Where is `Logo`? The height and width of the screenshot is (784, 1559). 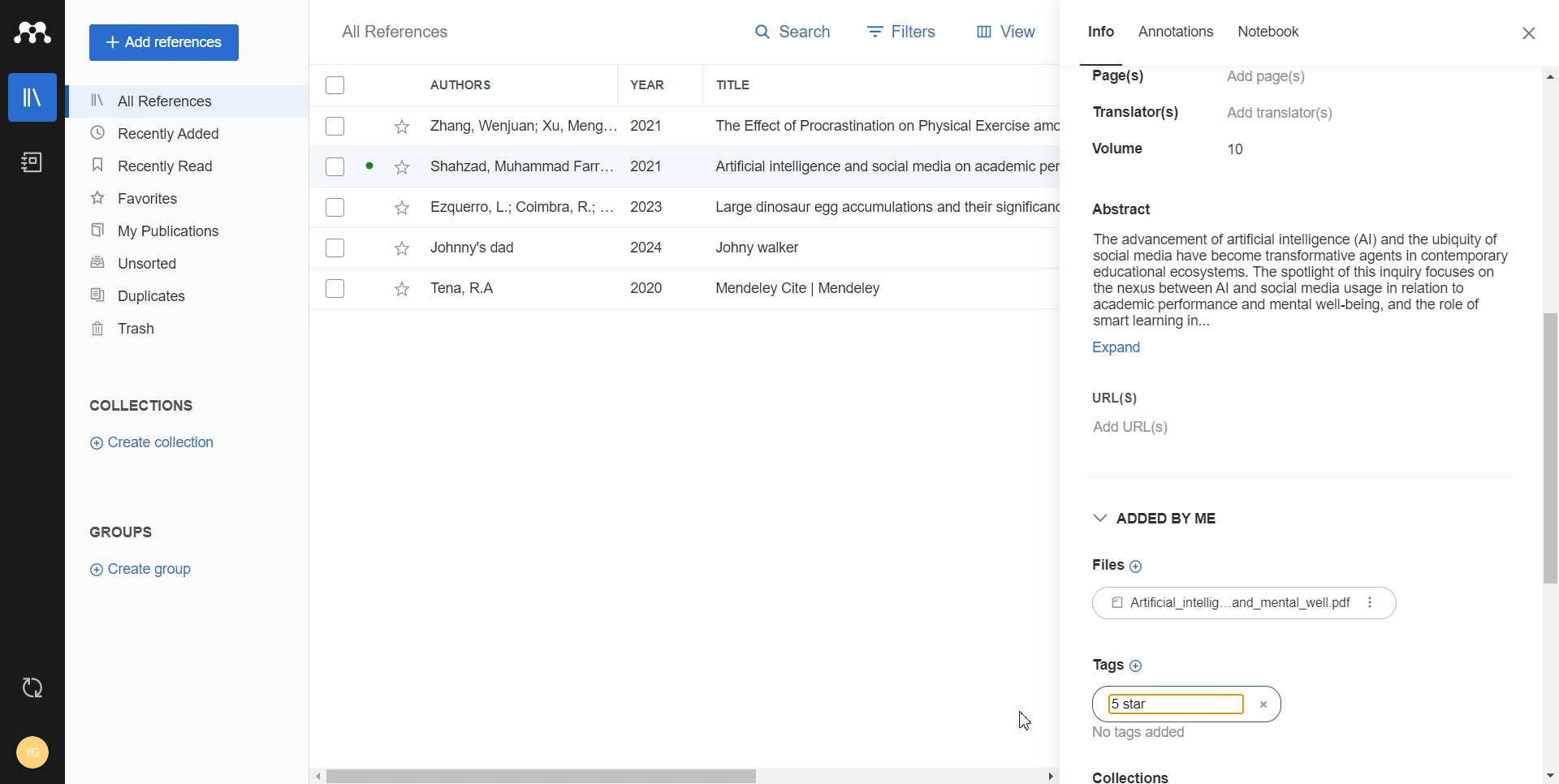 Logo is located at coordinates (32, 32).